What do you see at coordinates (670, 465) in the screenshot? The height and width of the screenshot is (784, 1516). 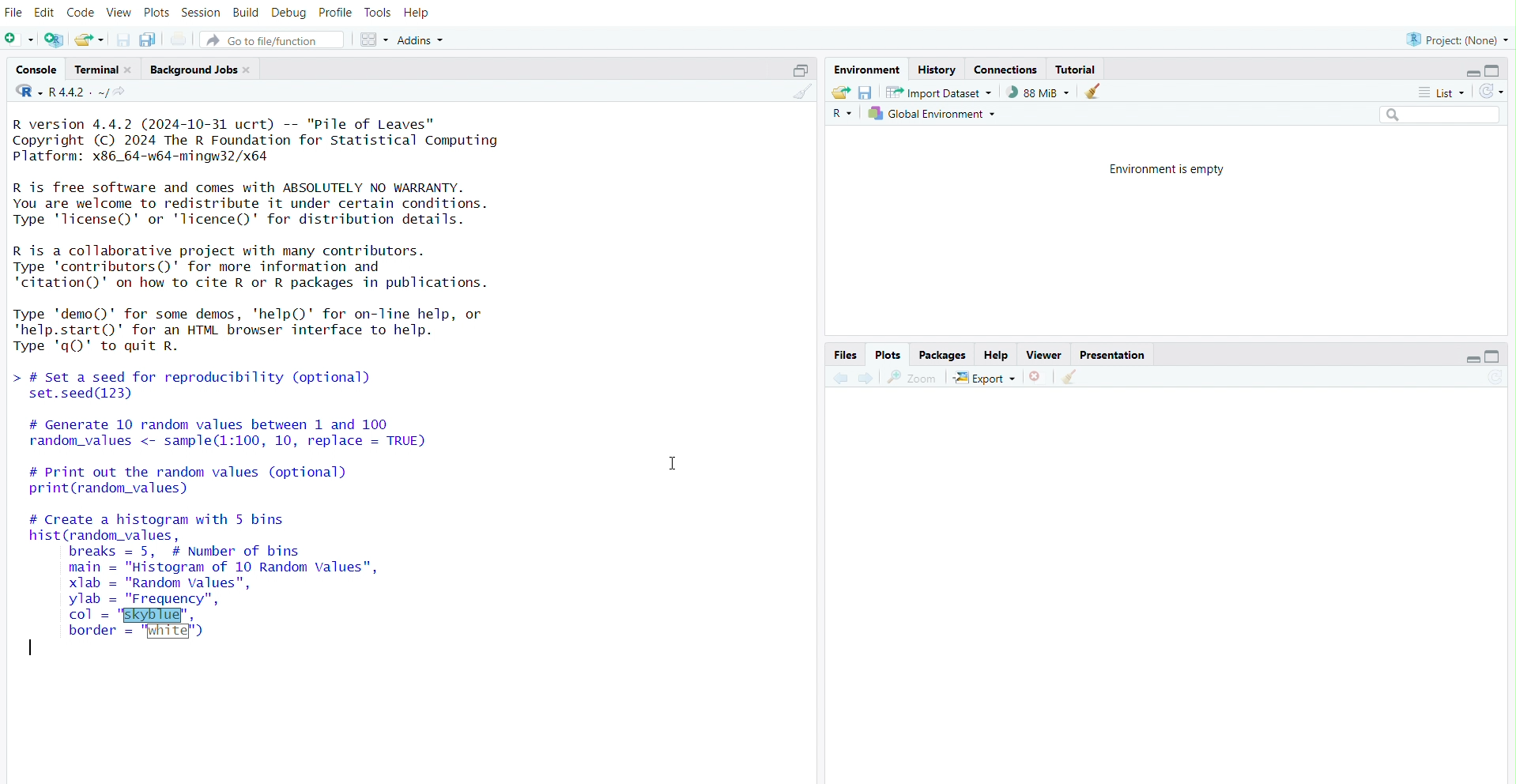 I see `cursor` at bounding box center [670, 465].